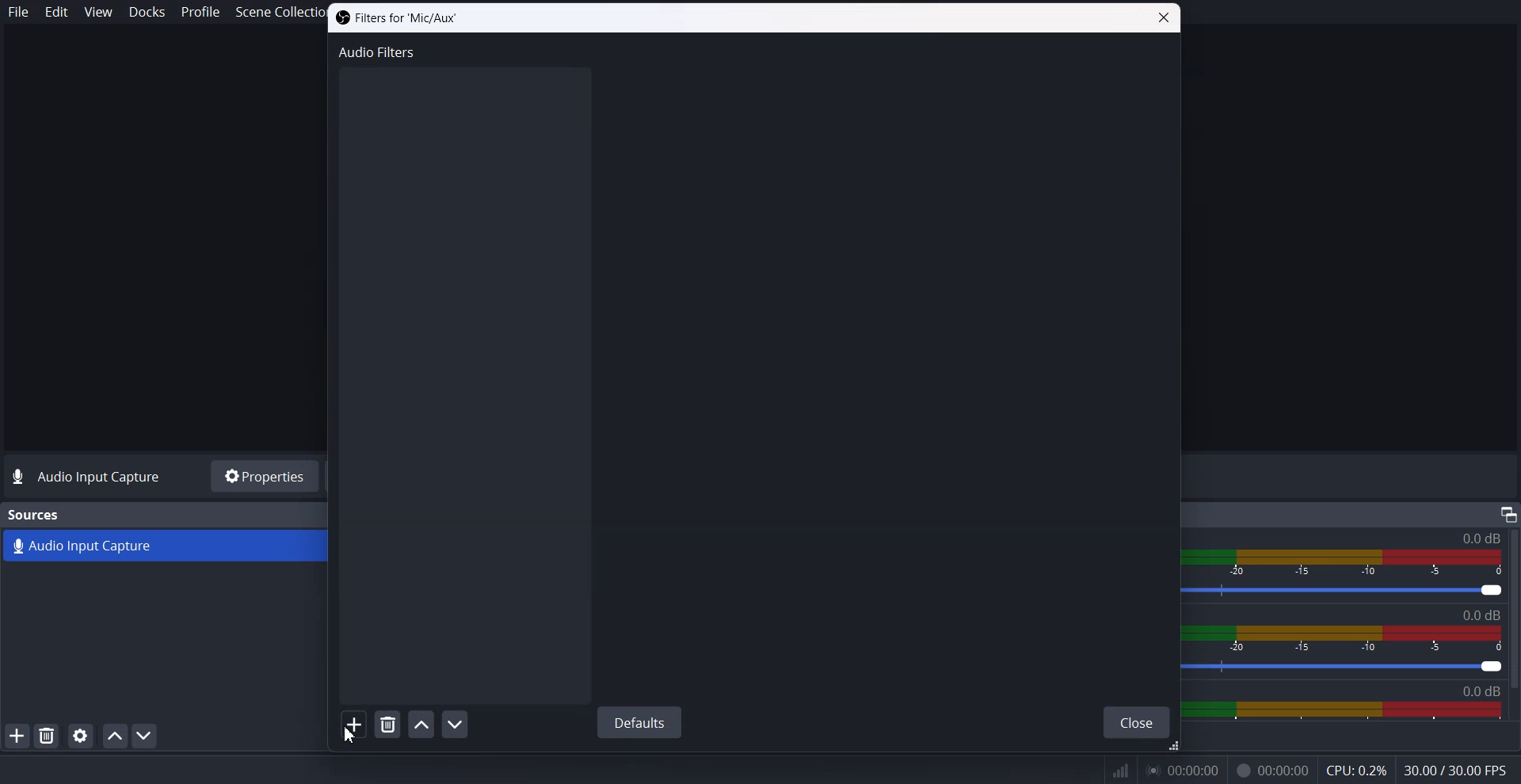  Describe the element at coordinates (1171, 747) in the screenshot. I see `Drag handle` at that location.